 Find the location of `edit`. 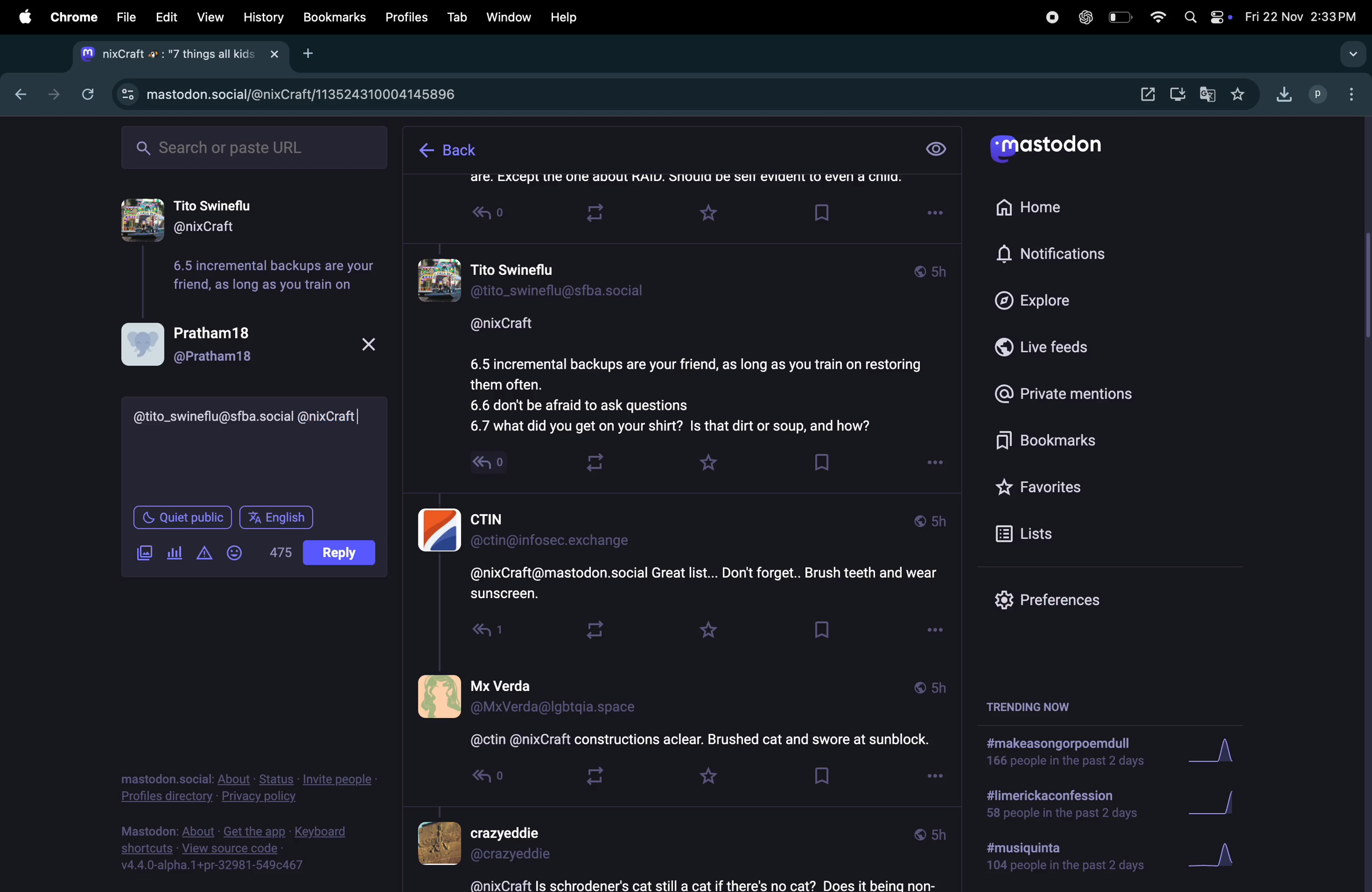

edit is located at coordinates (166, 17).